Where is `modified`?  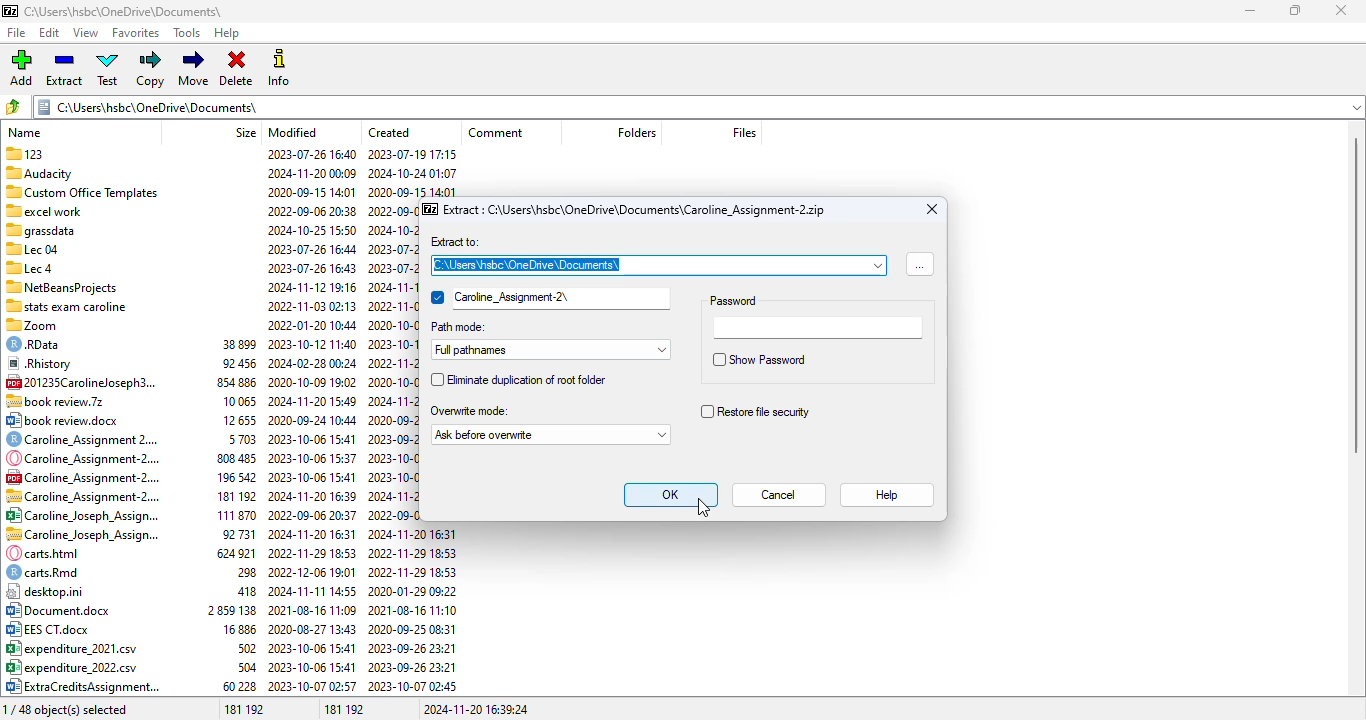
modified is located at coordinates (293, 132).